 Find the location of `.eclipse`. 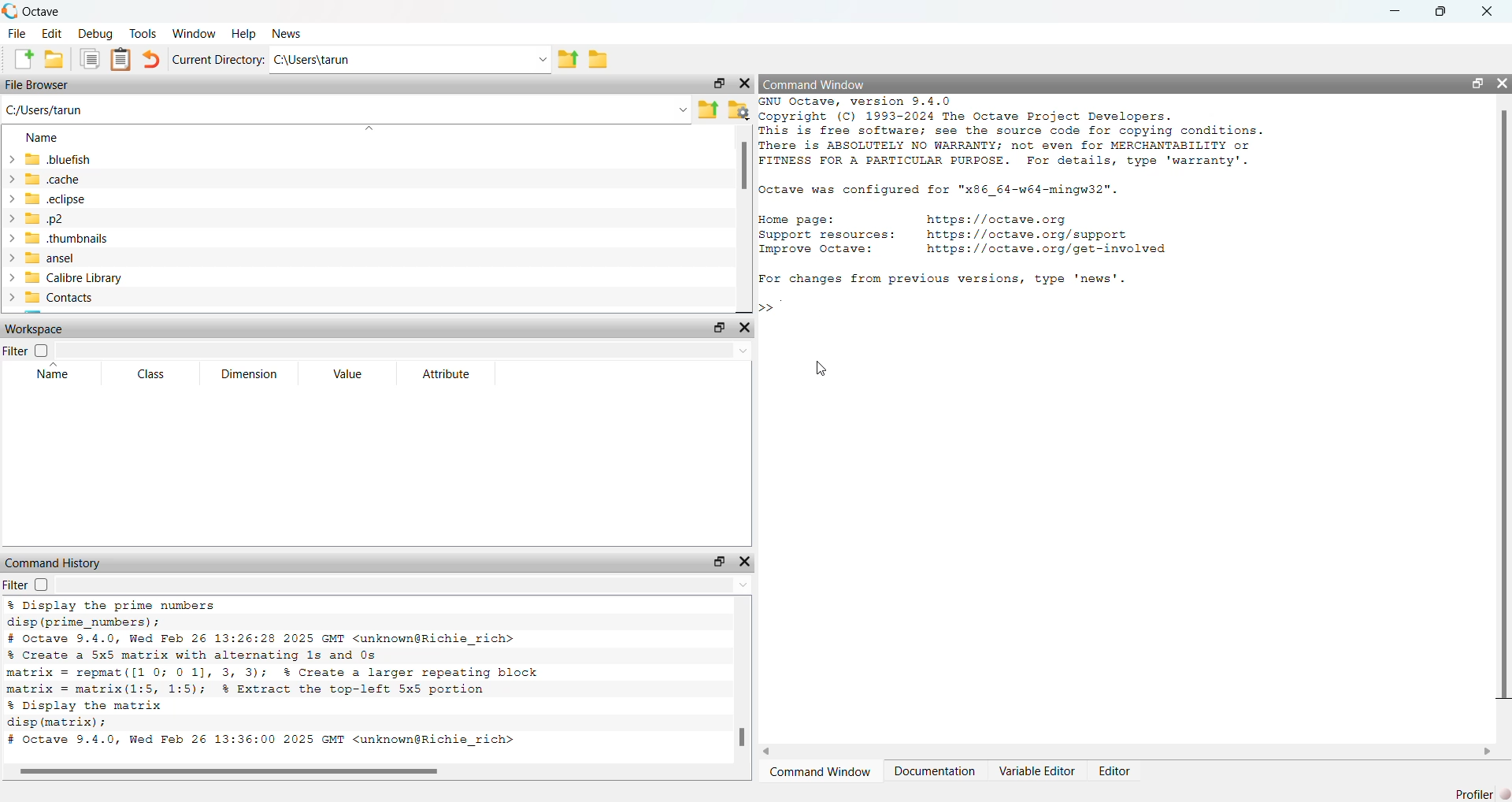

.eclipse is located at coordinates (61, 199).